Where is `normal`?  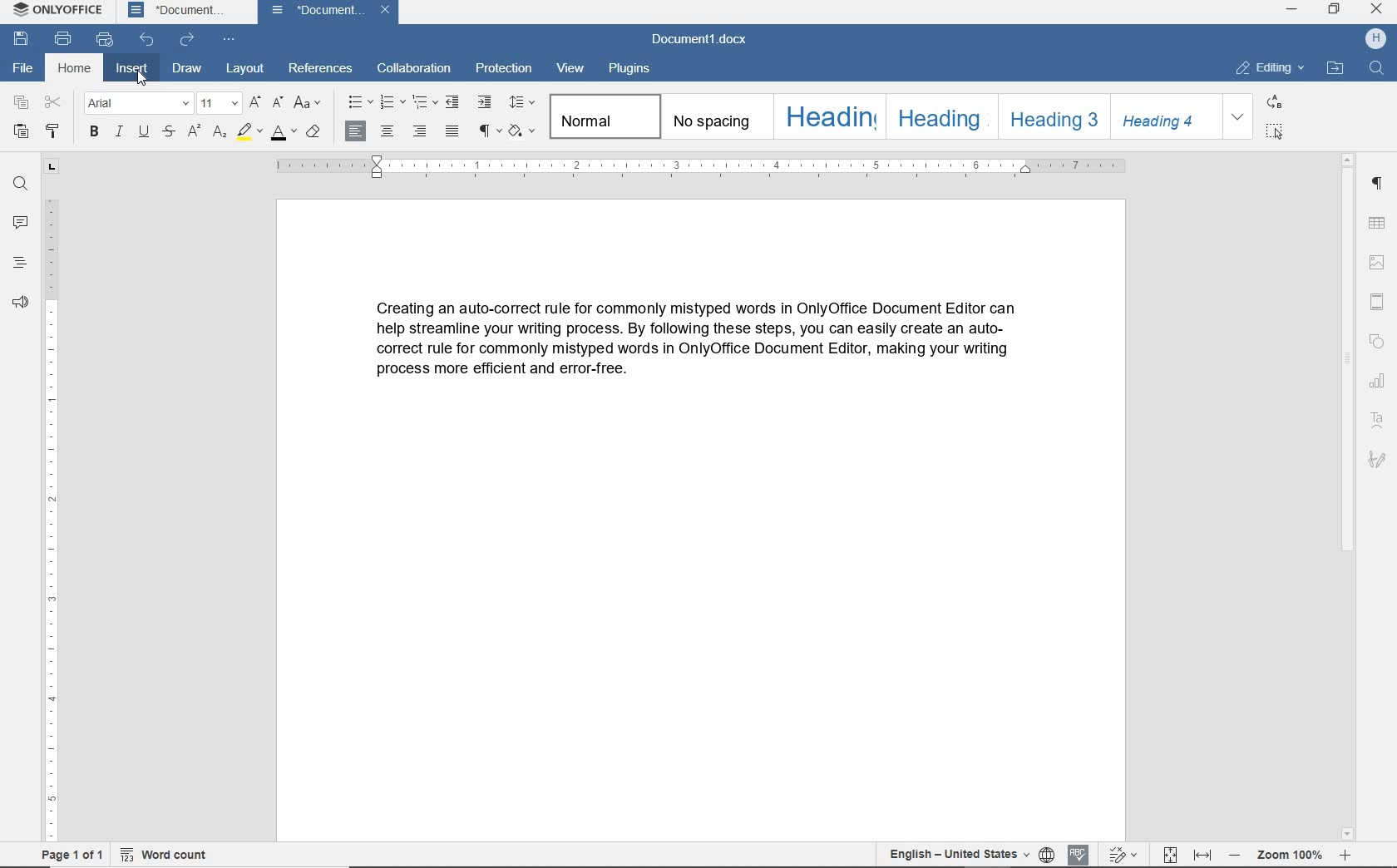
normal is located at coordinates (603, 116).